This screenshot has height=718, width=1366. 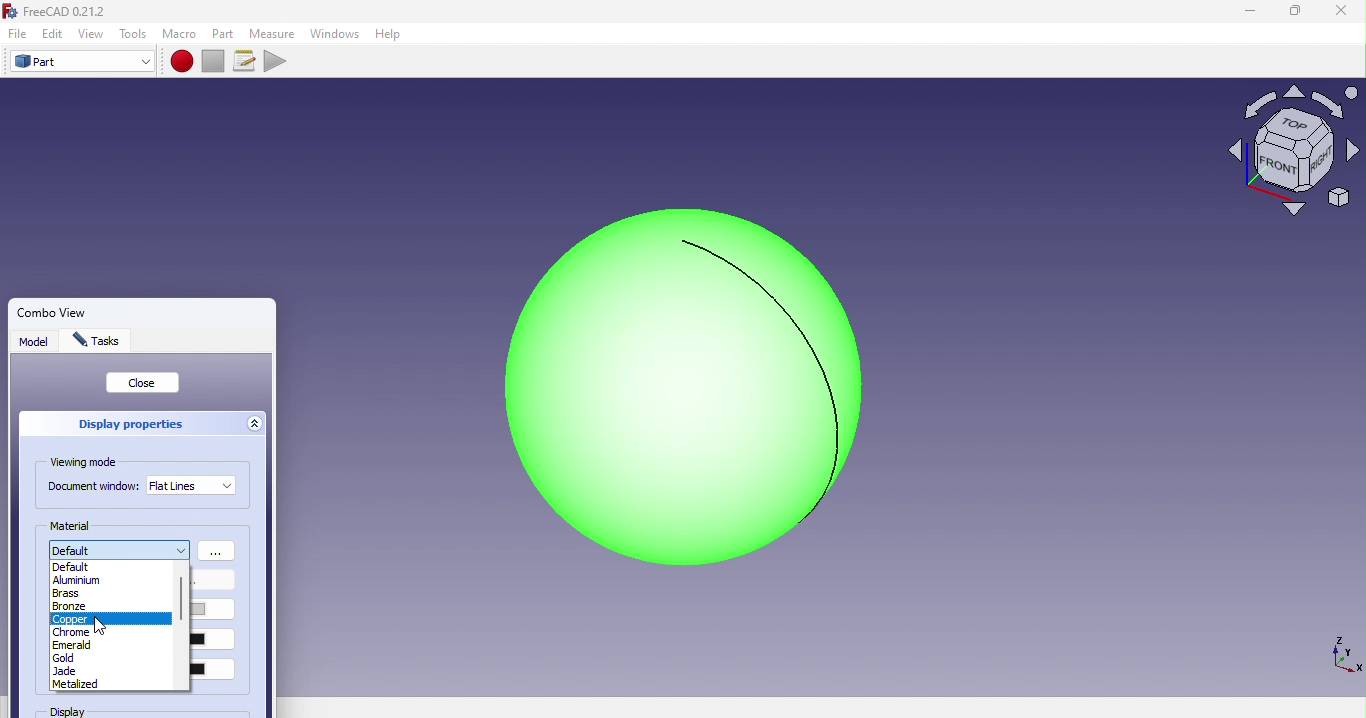 I want to click on Part, so click(x=82, y=62).